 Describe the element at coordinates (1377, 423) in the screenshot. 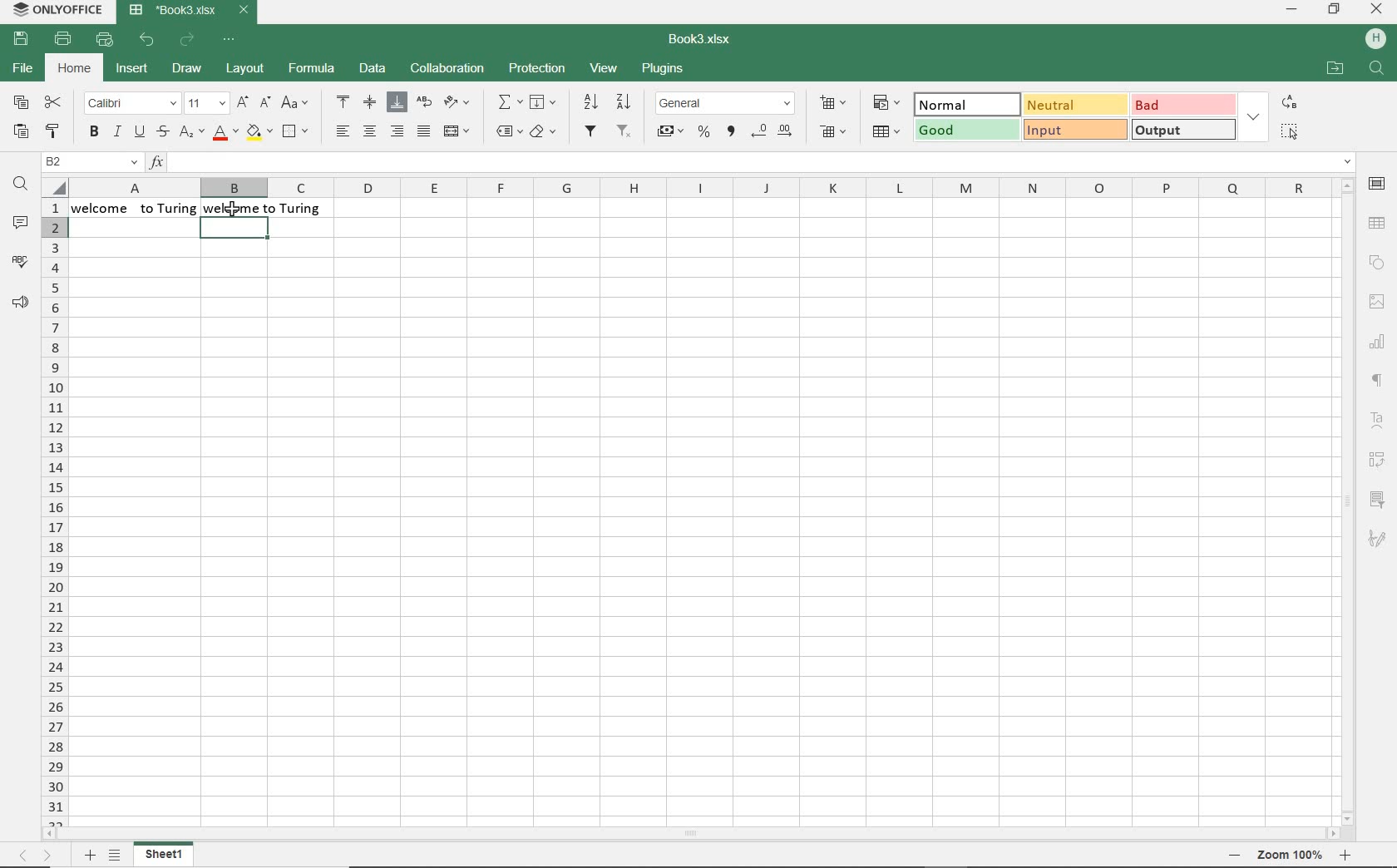

I see `text art` at that location.